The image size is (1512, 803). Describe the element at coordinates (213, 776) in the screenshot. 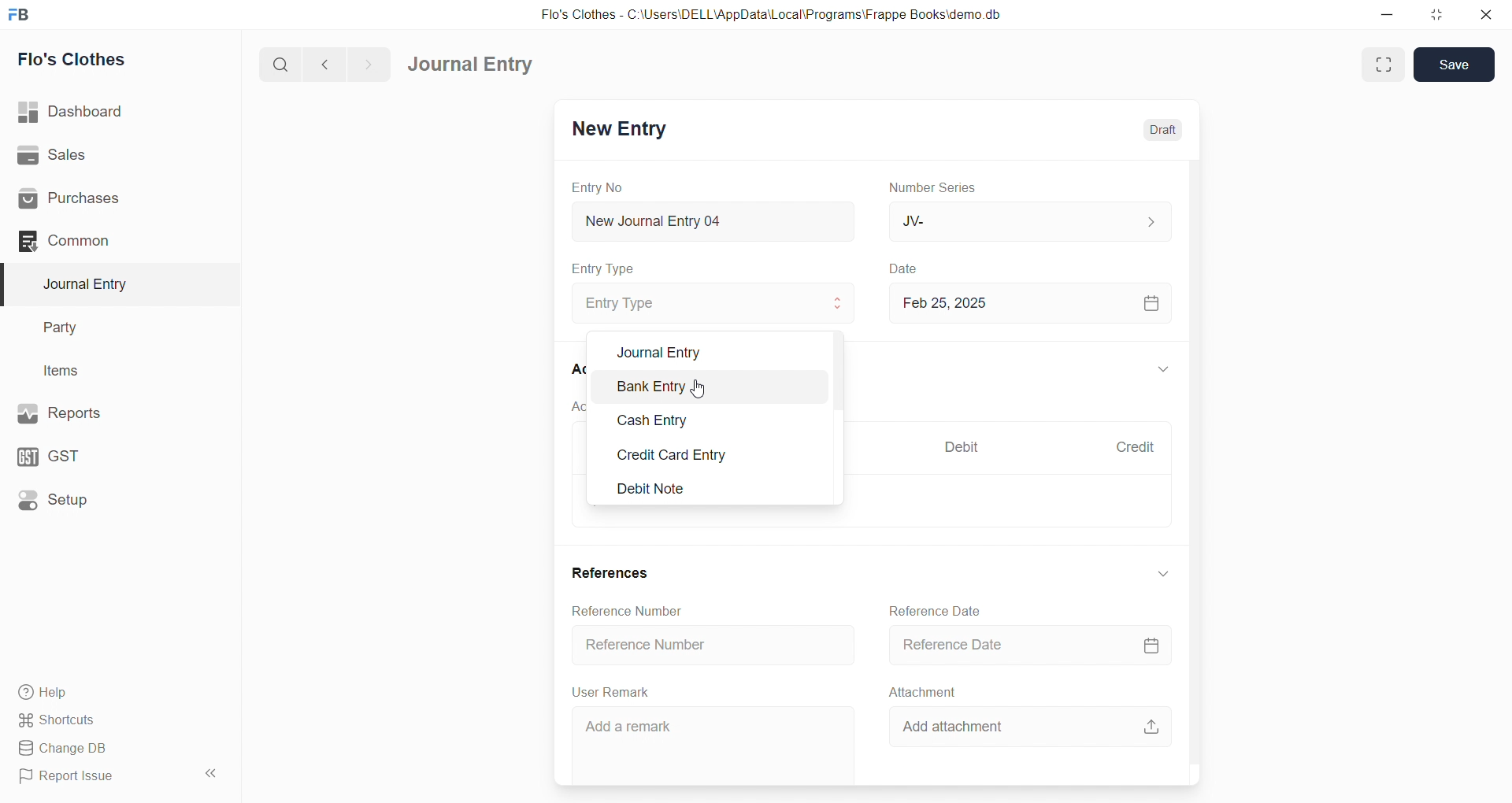

I see `Collapse sidebar` at that location.